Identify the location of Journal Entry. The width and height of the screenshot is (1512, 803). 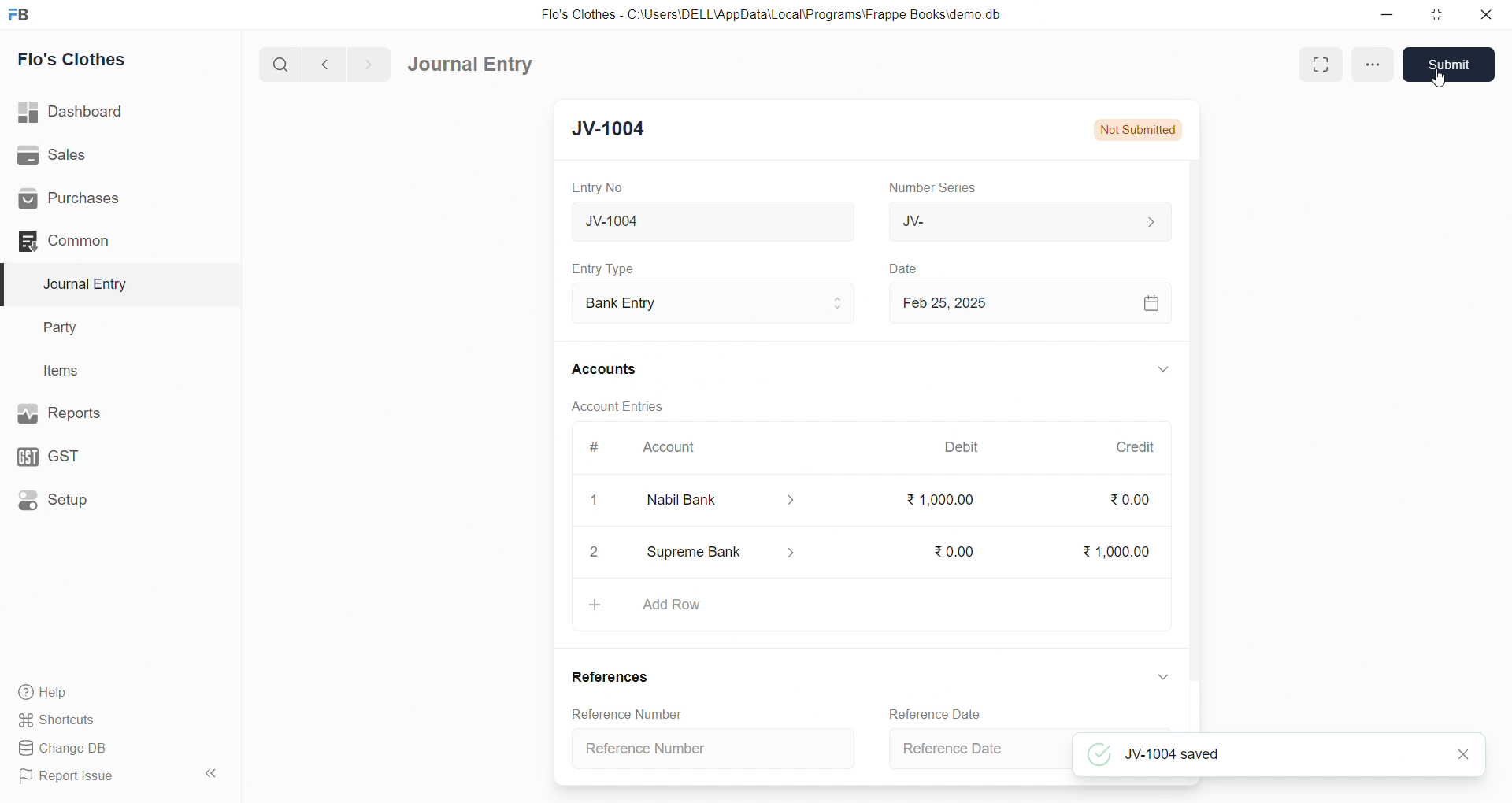
(476, 65).